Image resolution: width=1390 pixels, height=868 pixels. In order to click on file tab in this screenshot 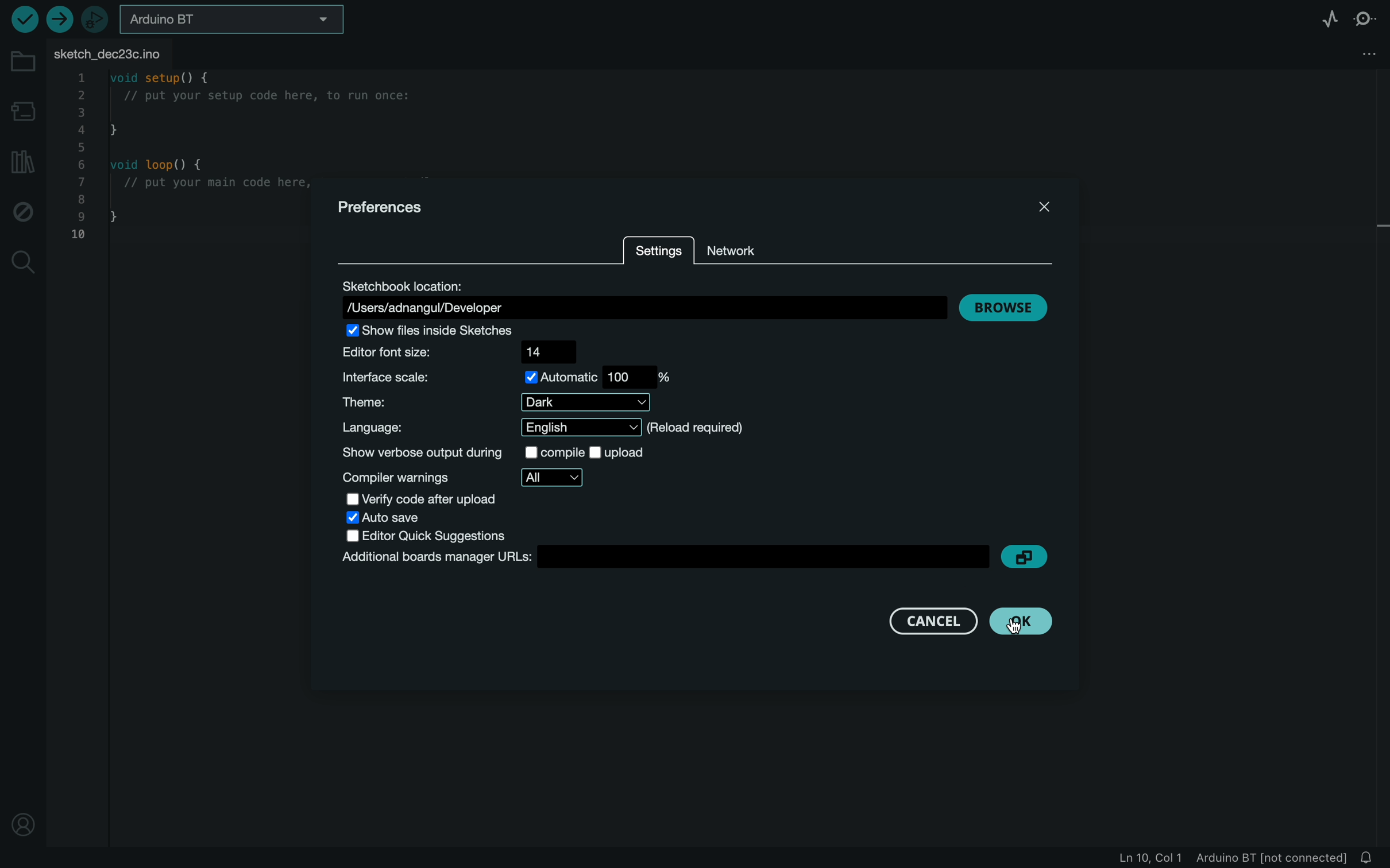, I will do `click(114, 51)`.